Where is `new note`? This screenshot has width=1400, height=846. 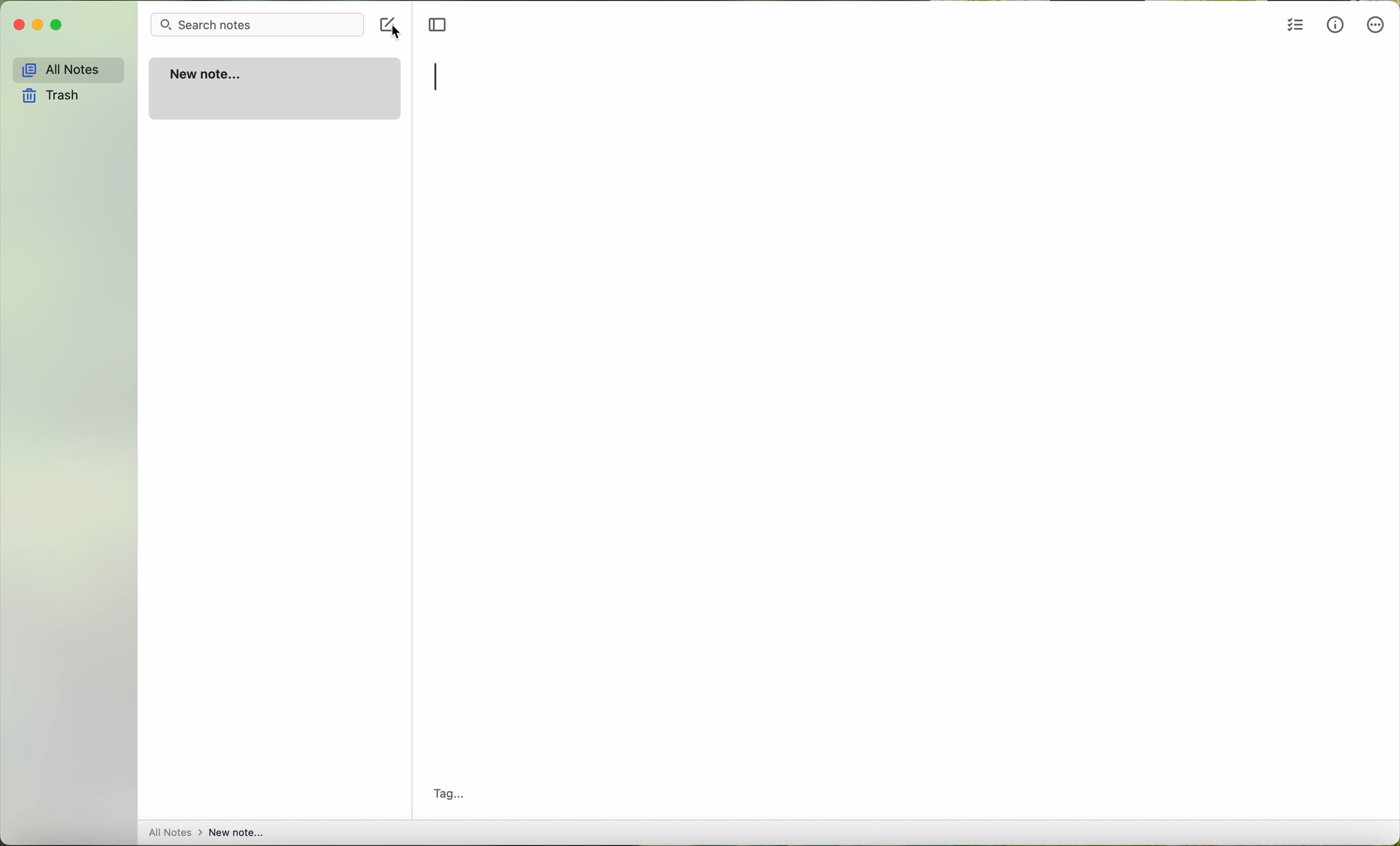 new note is located at coordinates (382, 24).